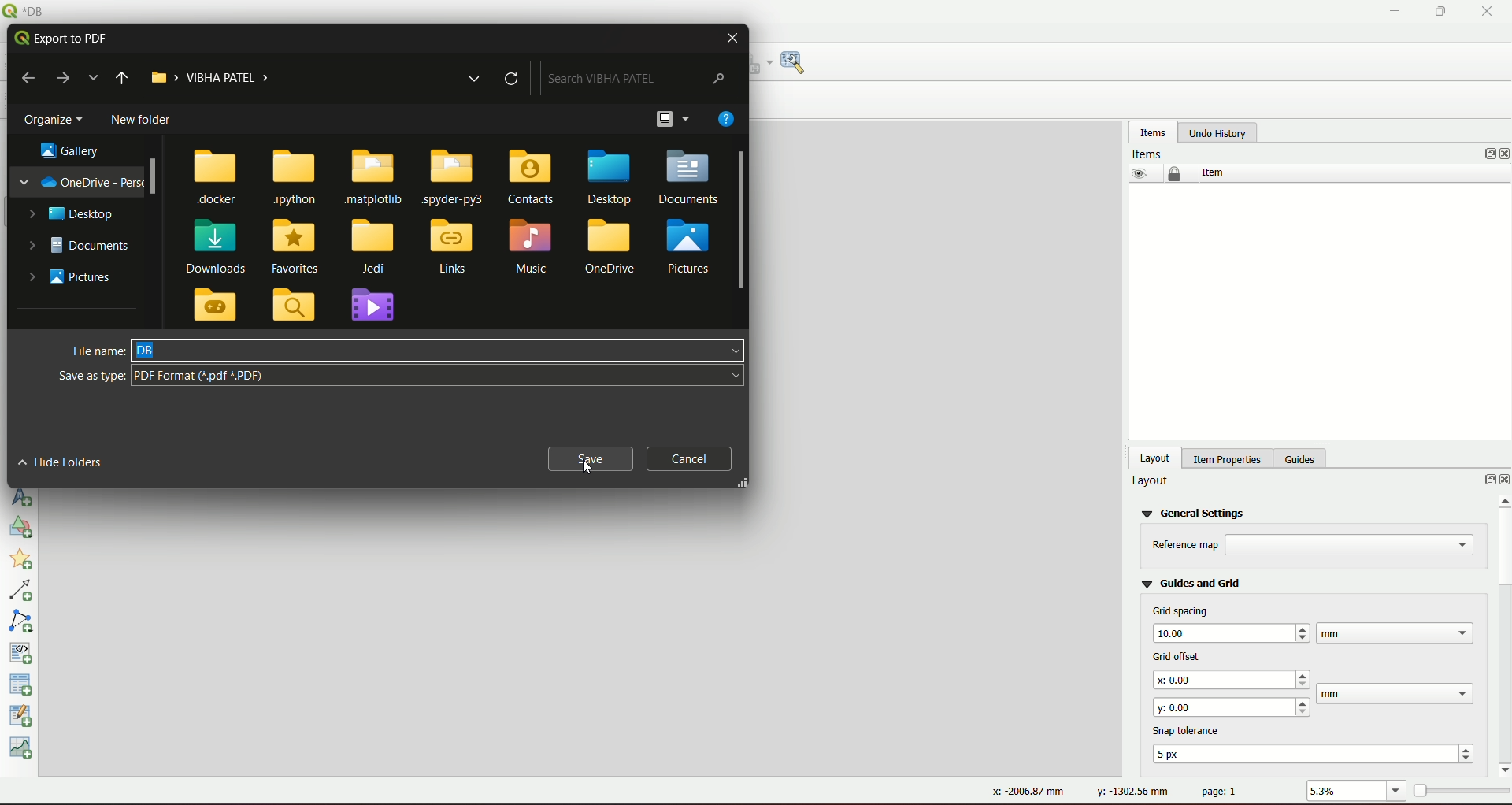 This screenshot has width=1512, height=805. I want to click on folder up, so click(122, 78).